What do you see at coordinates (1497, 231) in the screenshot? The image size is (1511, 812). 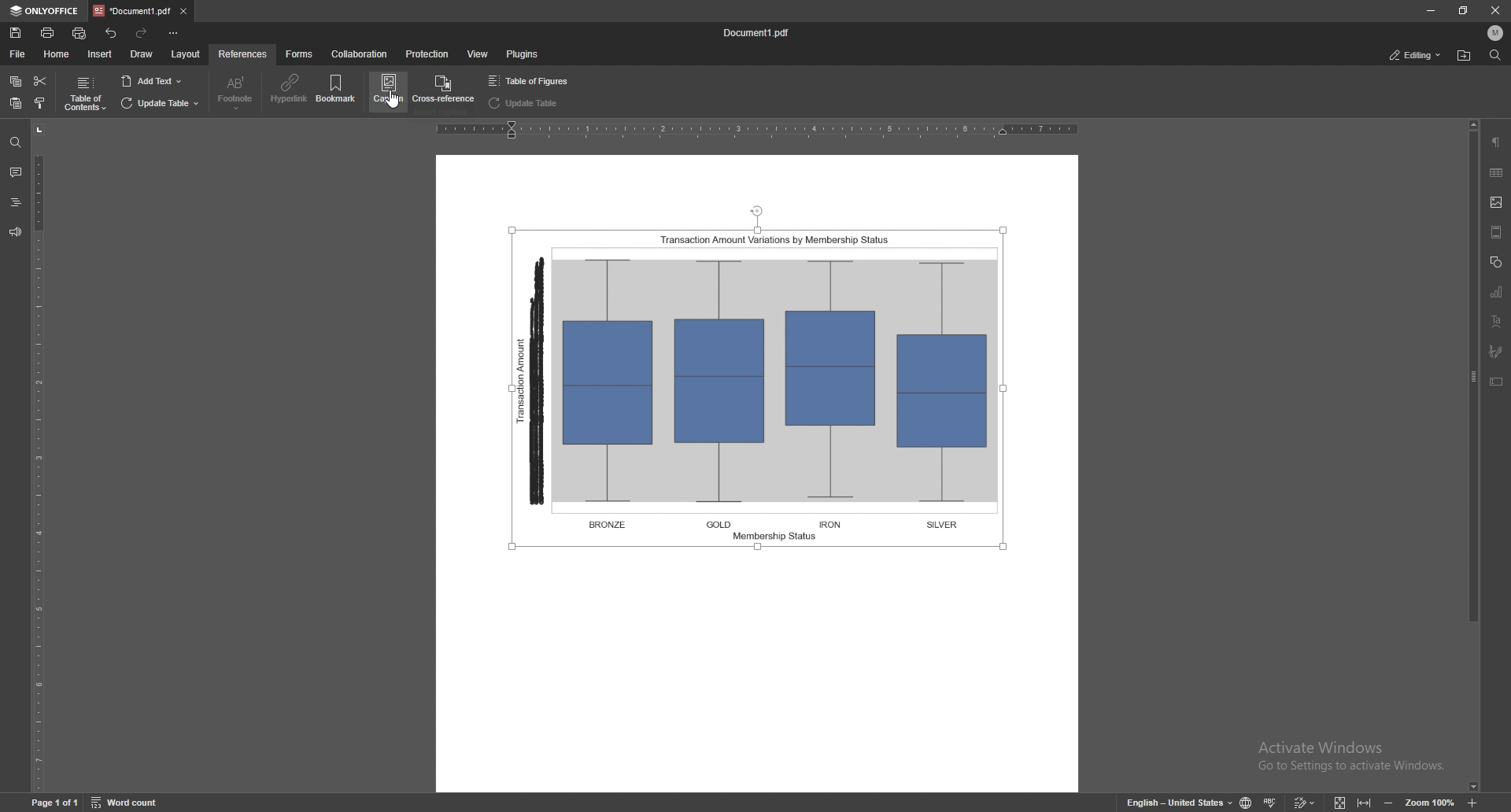 I see `header and footer` at bounding box center [1497, 231].